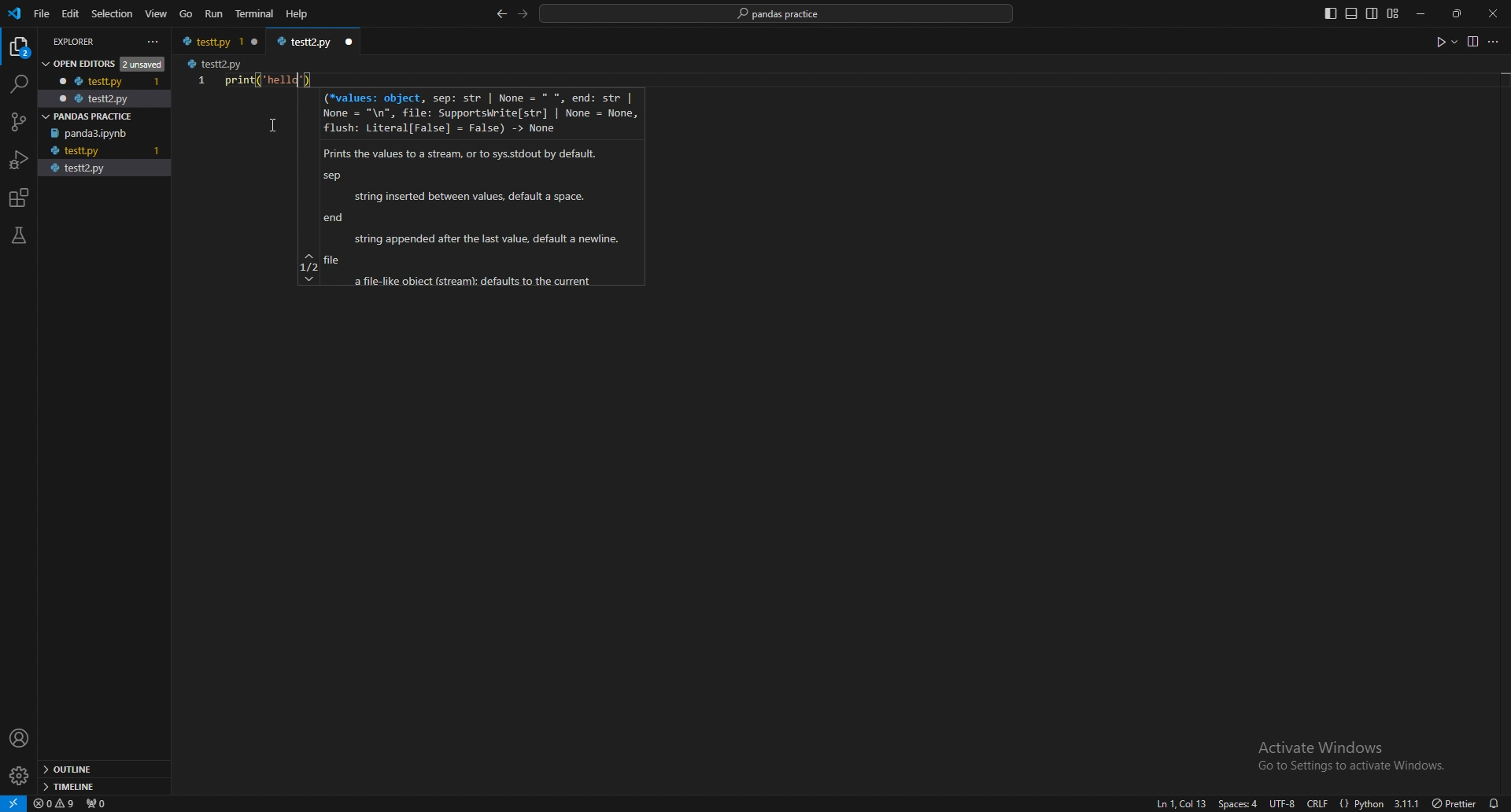 The width and height of the screenshot is (1511, 812). Describe the element at coordinates (1494, 803) in the screenshot. I see `alarms` at that location.